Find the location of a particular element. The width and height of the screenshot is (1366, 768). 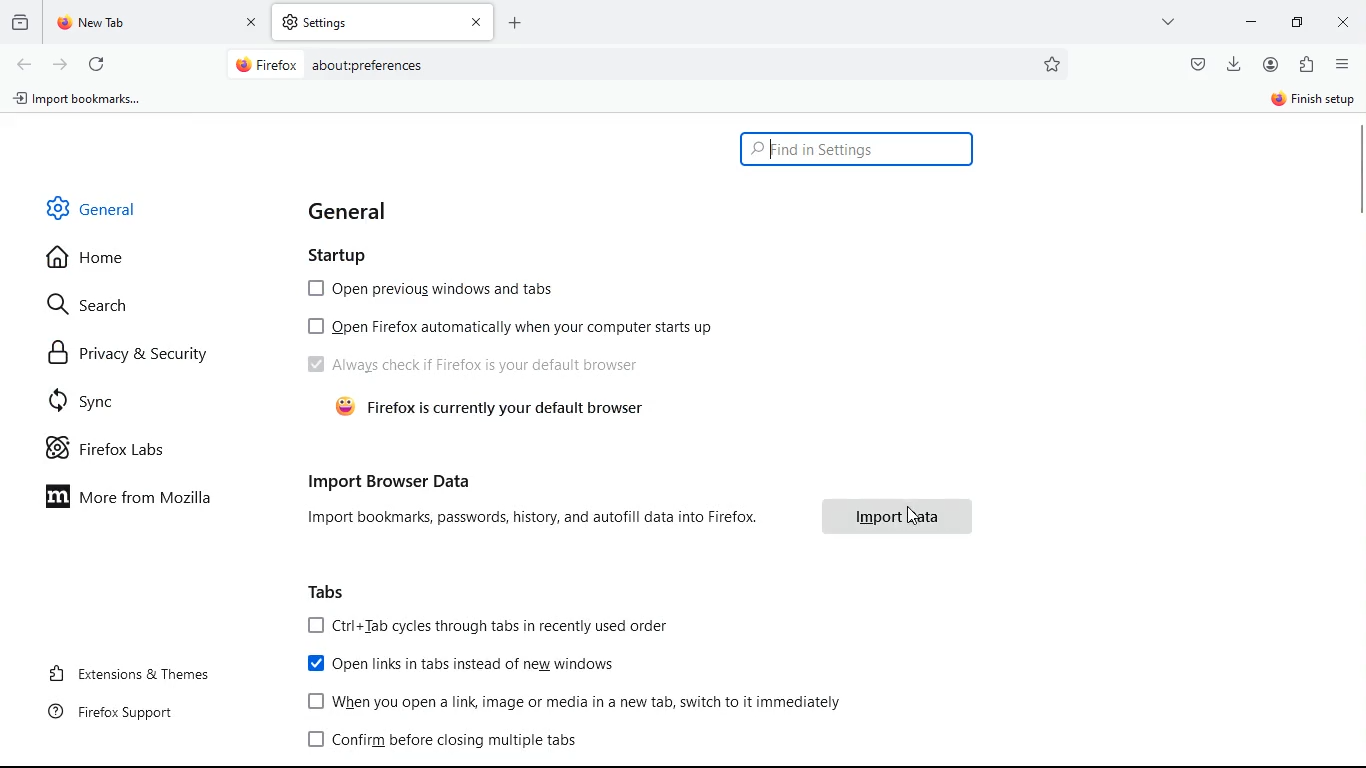

maximize is located at coordinates (1298, 24).